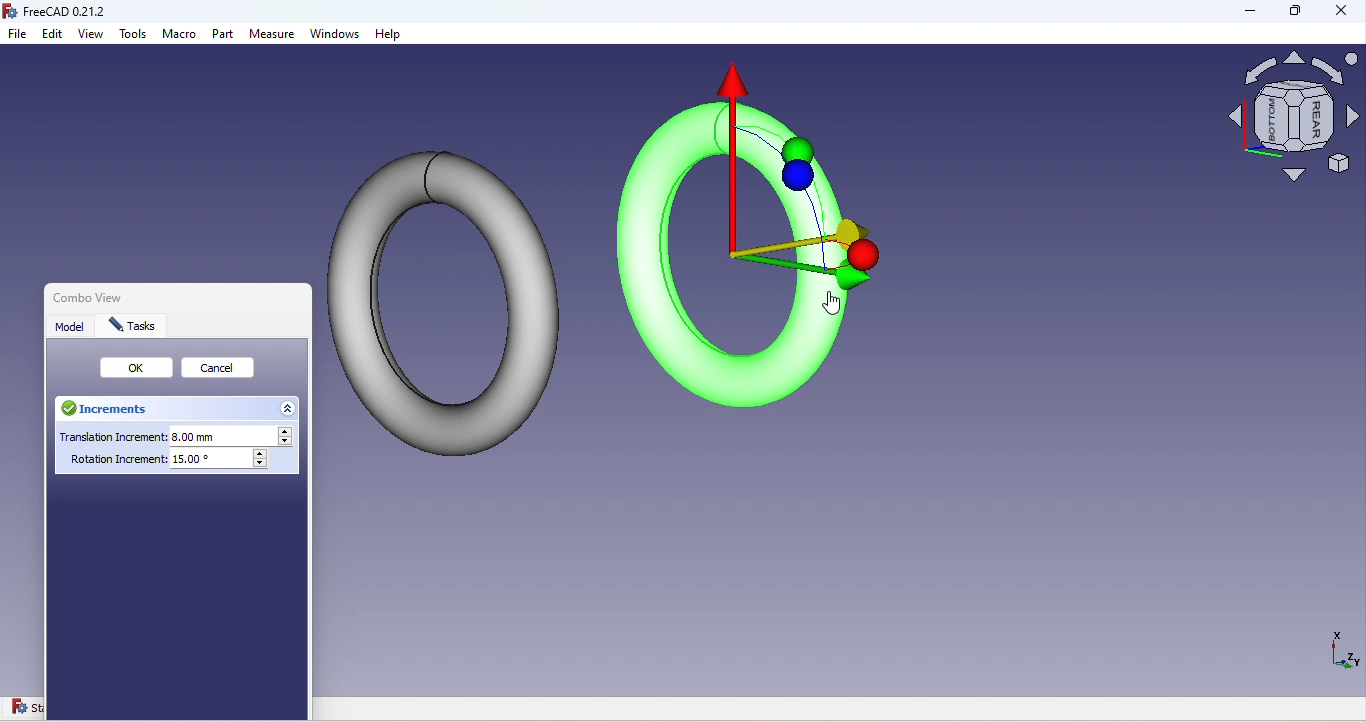 This screenshot has height=722, width=1366. What do you see at coordinates (288, 432) in the screenshot?
I see `Increase translation increment` at bounding box center [288, 432].